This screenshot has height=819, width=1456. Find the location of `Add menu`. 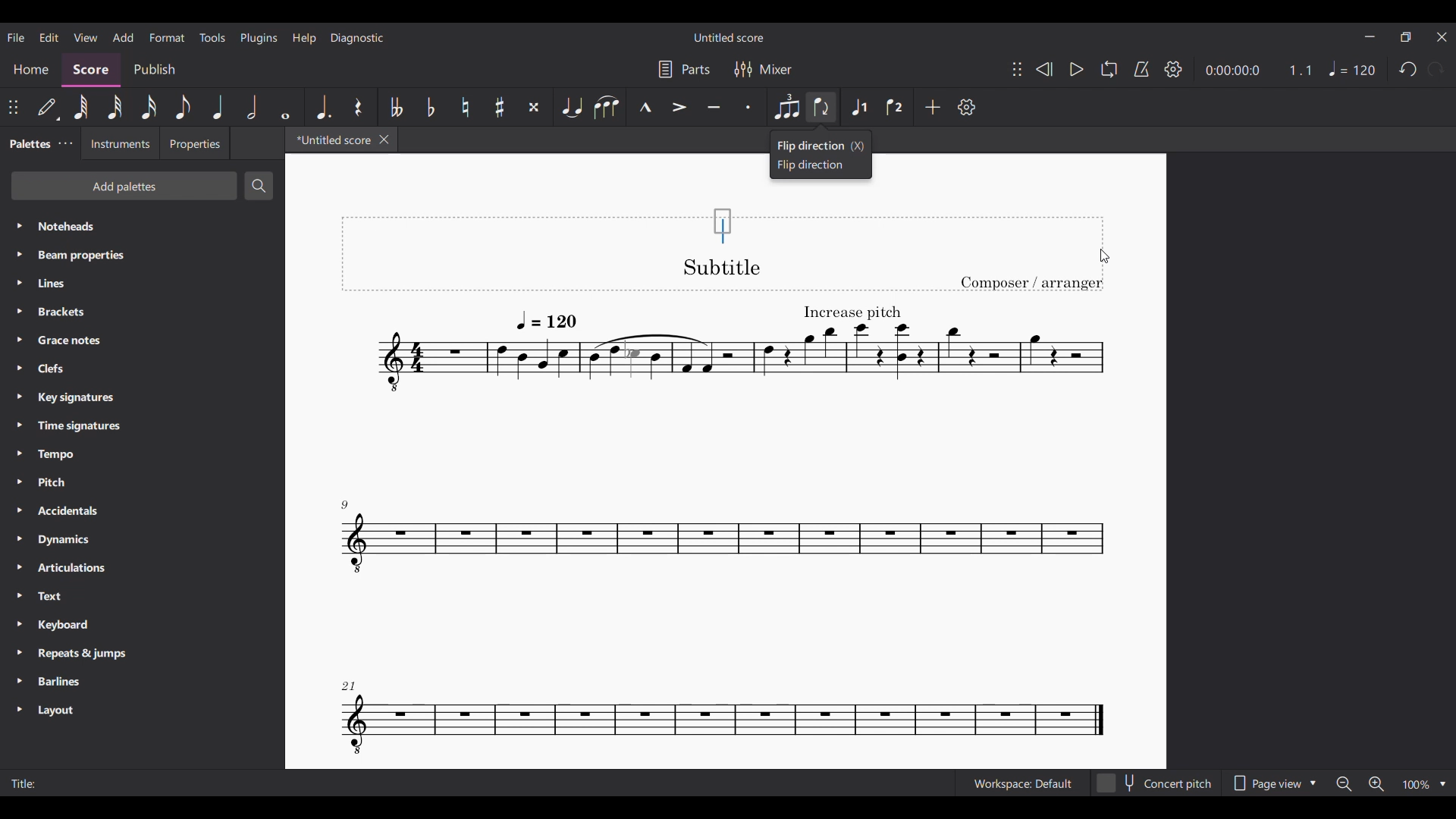

Add menu is located at coordinates (123, 37).